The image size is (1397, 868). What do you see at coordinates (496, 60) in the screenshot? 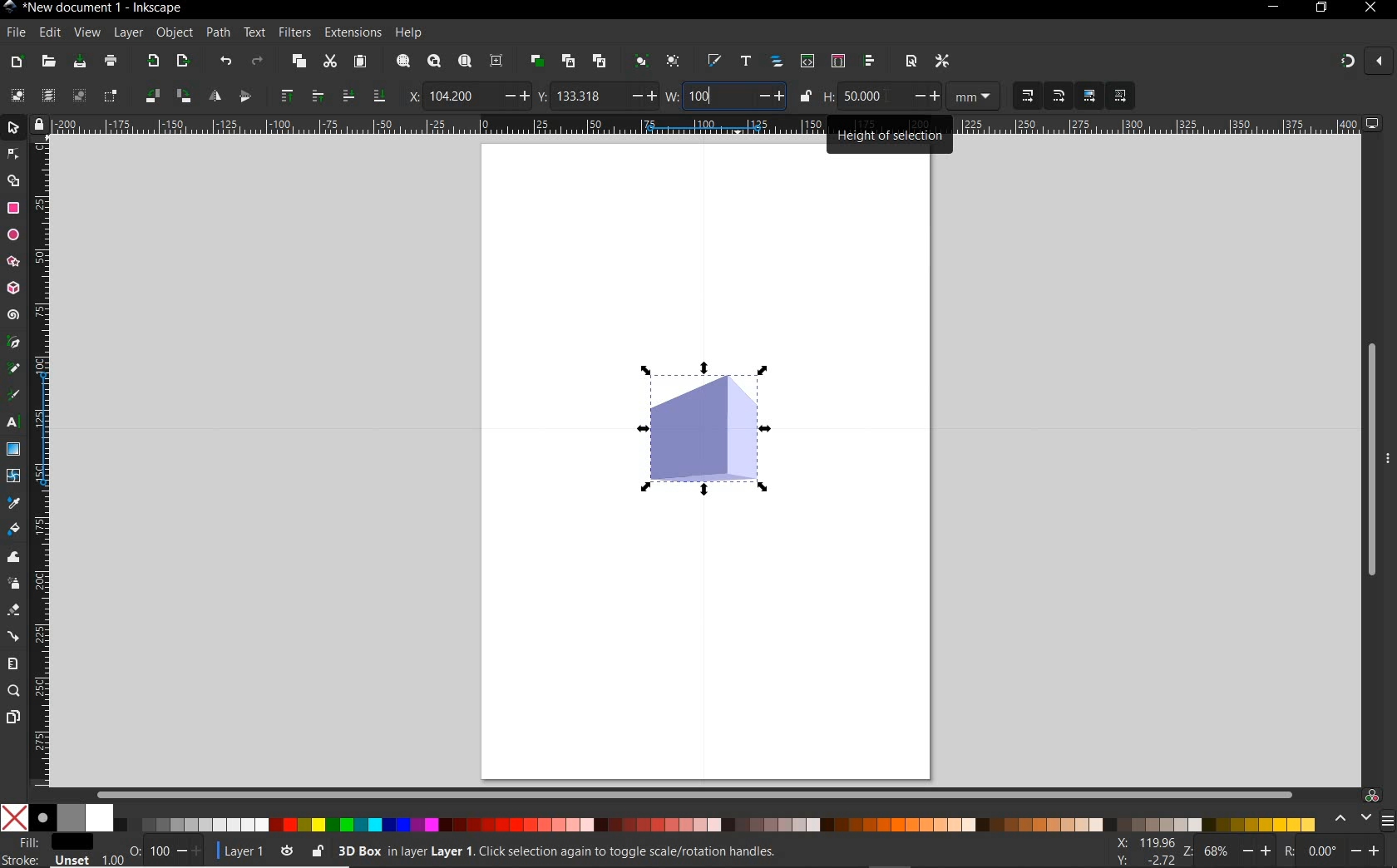
I see `zoom center page` at bounding box center [496, 60].